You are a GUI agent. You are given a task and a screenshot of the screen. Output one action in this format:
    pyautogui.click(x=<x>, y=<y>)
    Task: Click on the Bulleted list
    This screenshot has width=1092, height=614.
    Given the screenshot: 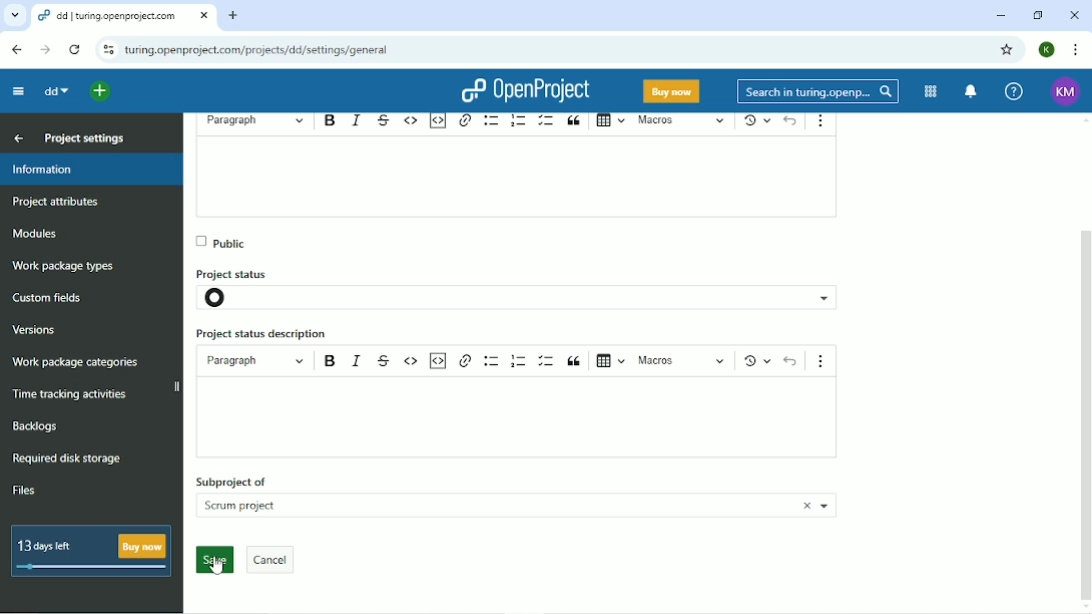 What is the action you would take?
    pyautogui.click(x=492, y=122)
    